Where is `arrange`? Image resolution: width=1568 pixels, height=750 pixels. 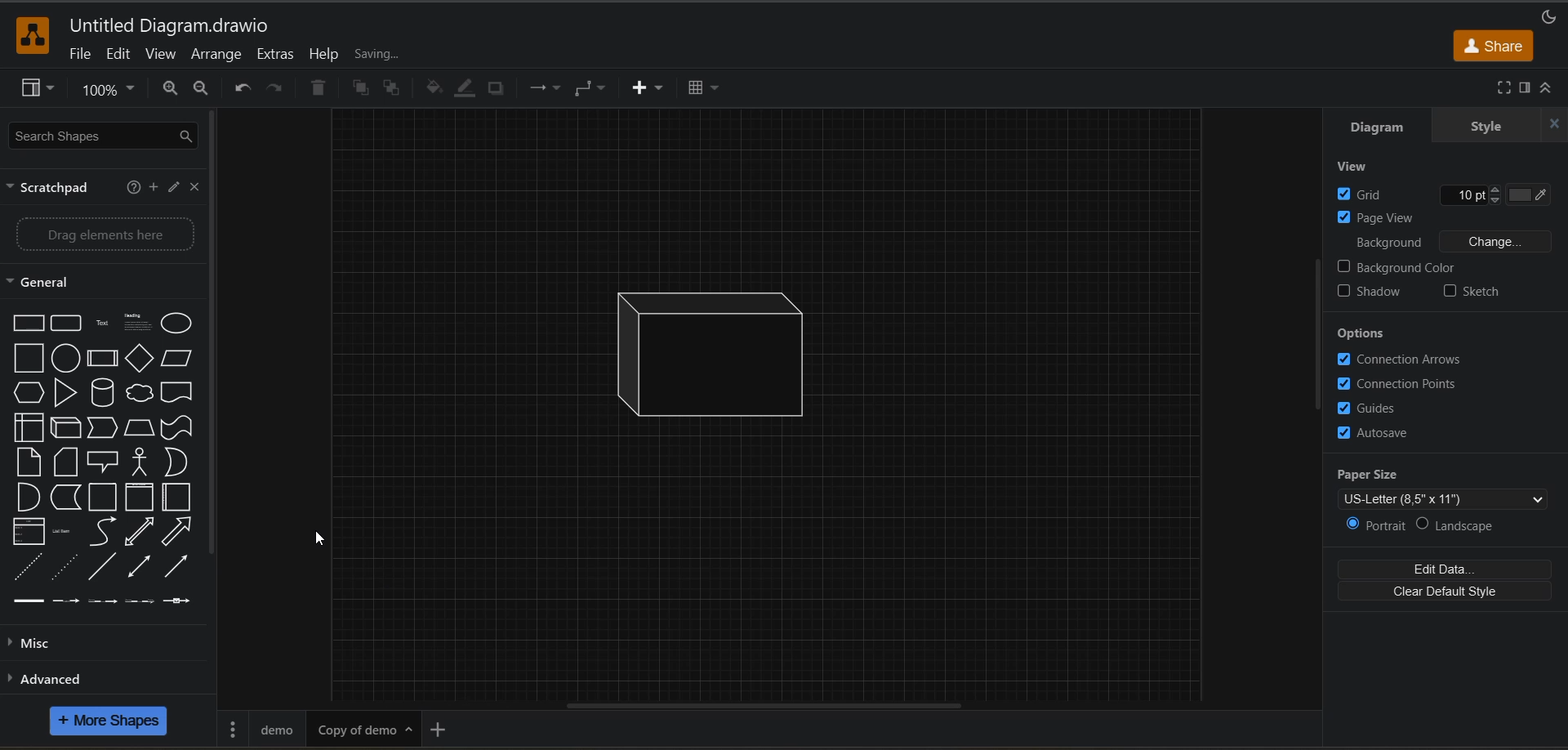 arrange is located at coordinates (218, 54).